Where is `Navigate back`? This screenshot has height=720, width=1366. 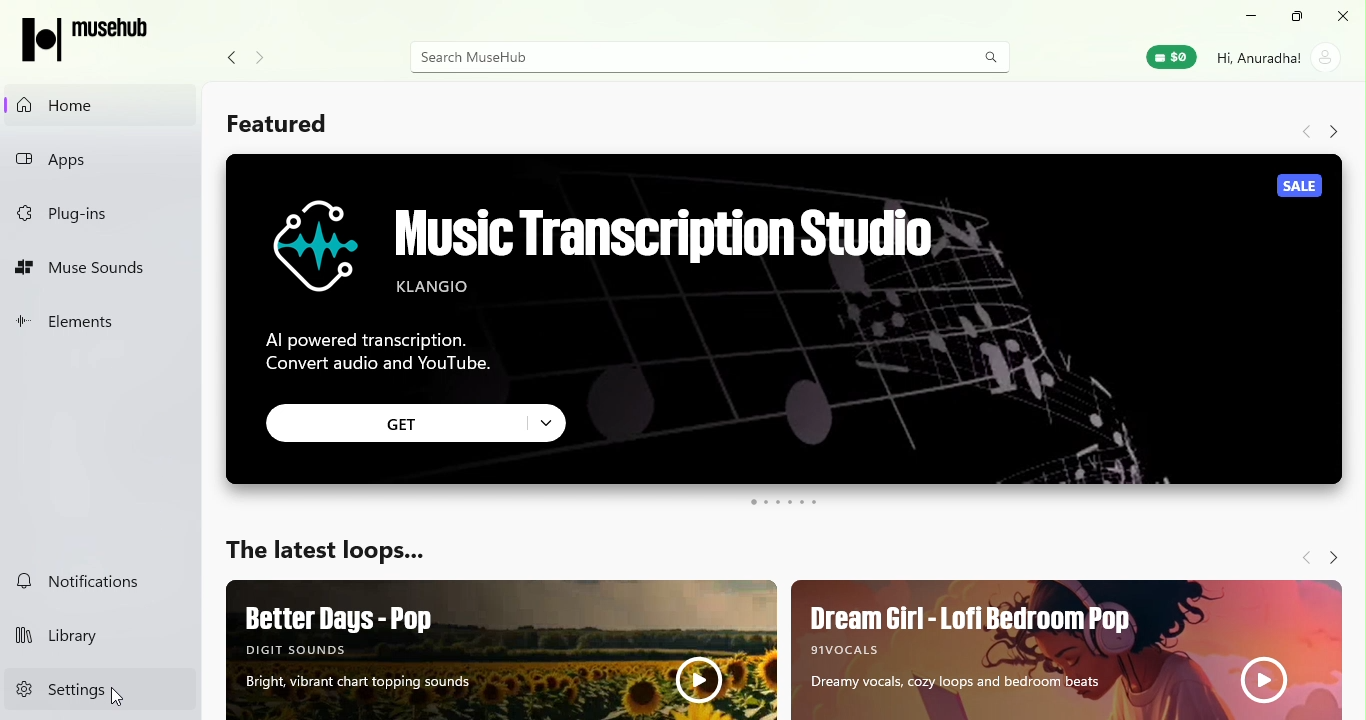
Navigate back is located at coordinates (230, 58).